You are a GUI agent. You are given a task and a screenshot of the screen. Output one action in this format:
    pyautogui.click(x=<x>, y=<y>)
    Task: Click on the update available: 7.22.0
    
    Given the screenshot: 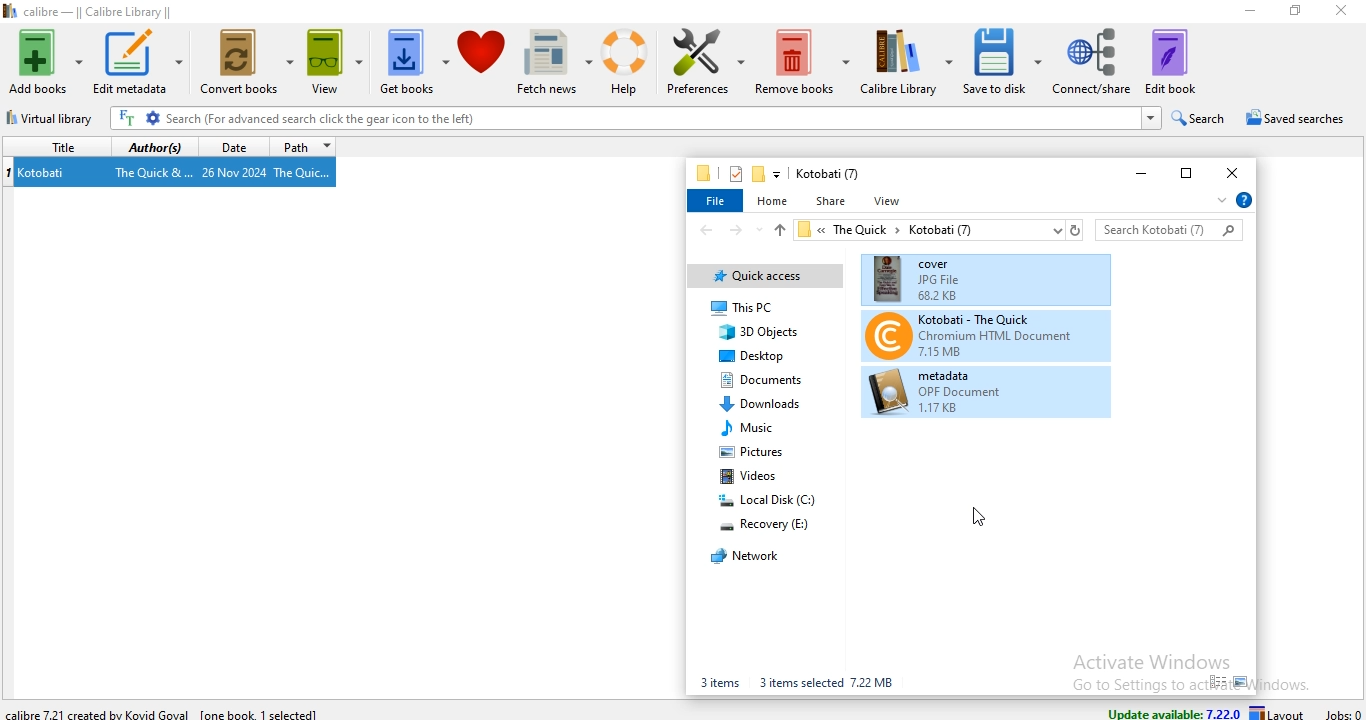 What is the action you would take?
    pyautogui.click(x=1172, y=710)
    